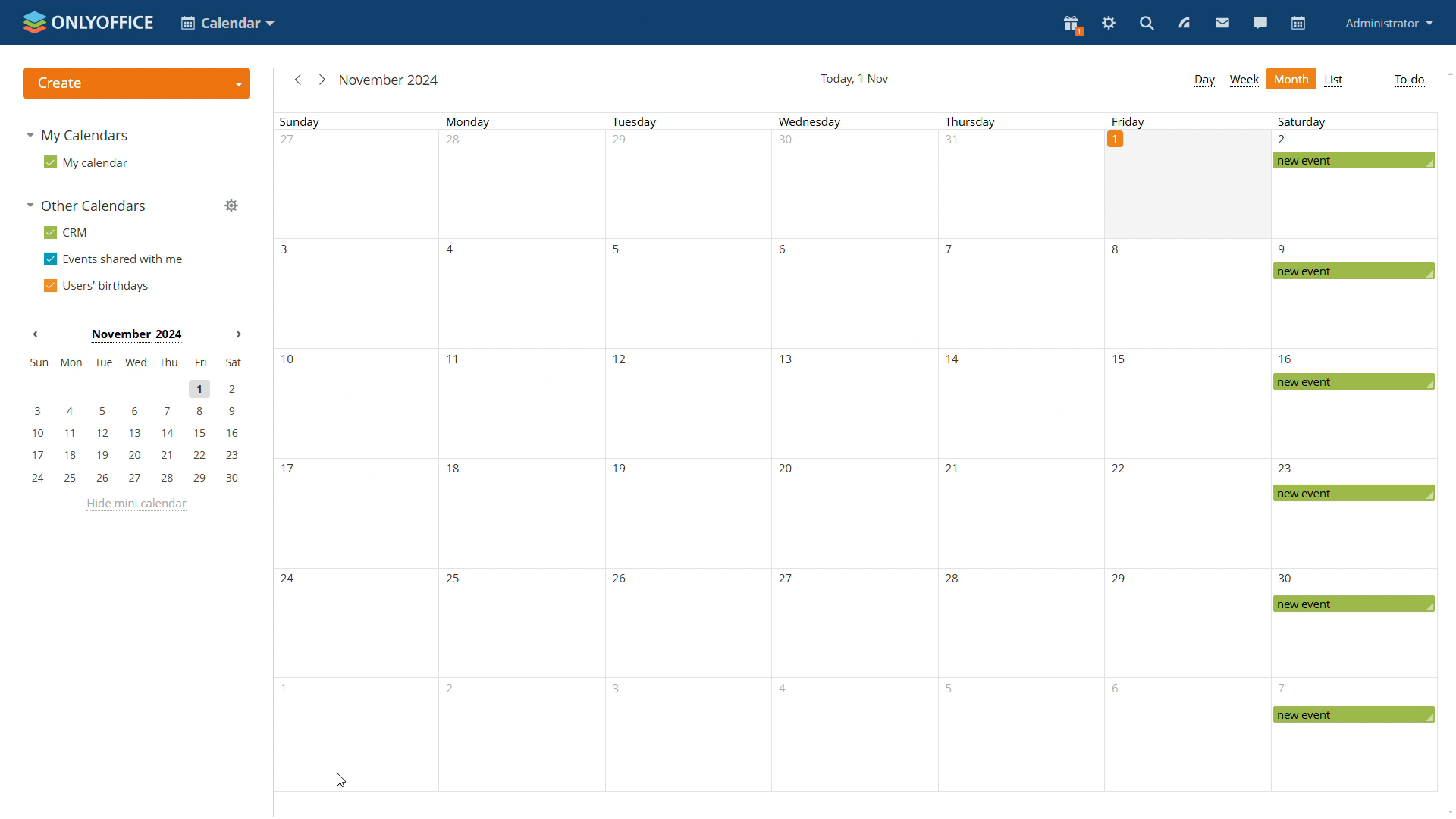 The width and height of the screenshot is (1456, 819). Describe the element at coordinates (135, 83) in the screenshot. I see `create` at that location.